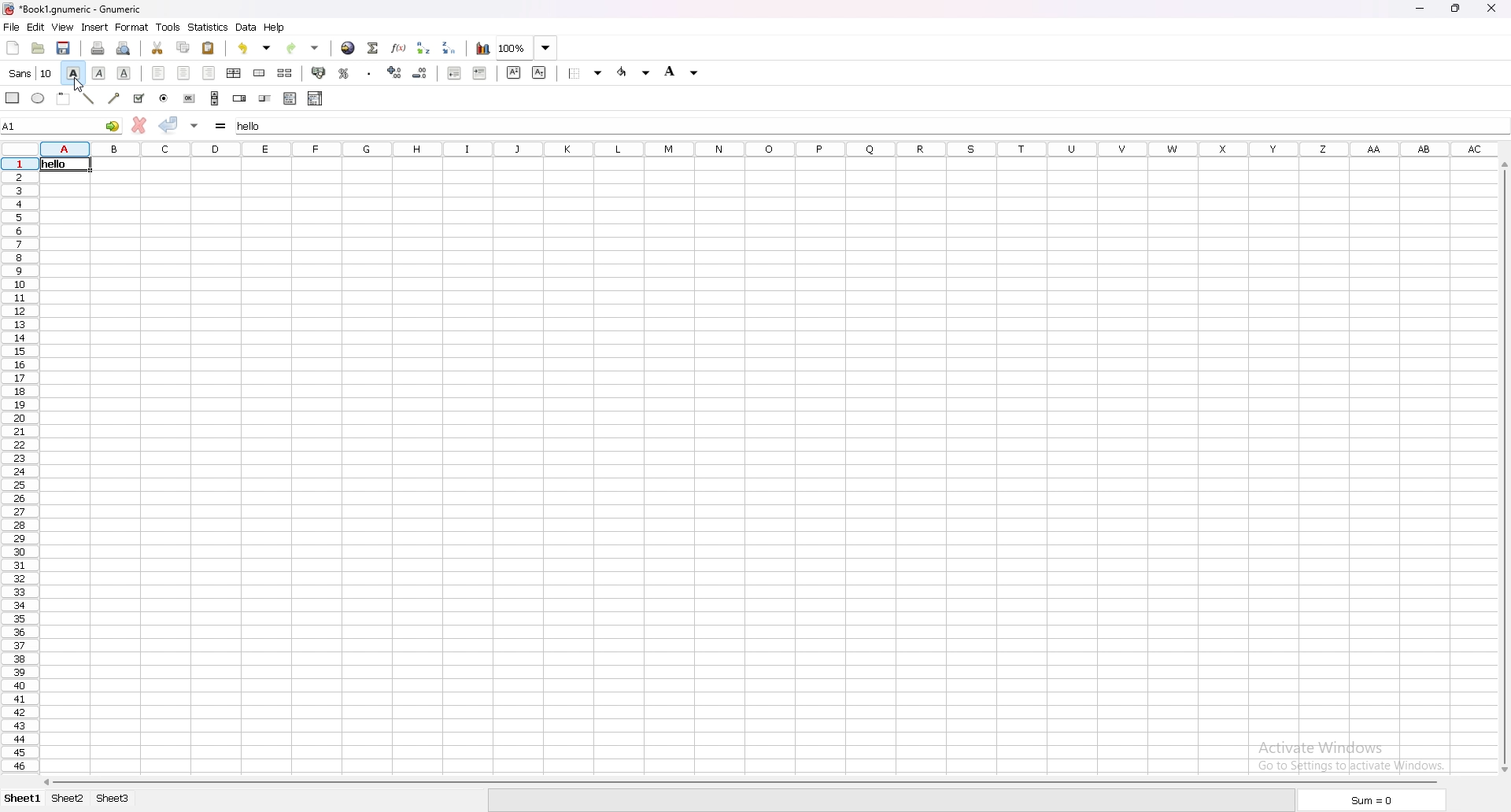 This screenshot has width=1511, height=812. I want to click on frame, so click(63, 98).